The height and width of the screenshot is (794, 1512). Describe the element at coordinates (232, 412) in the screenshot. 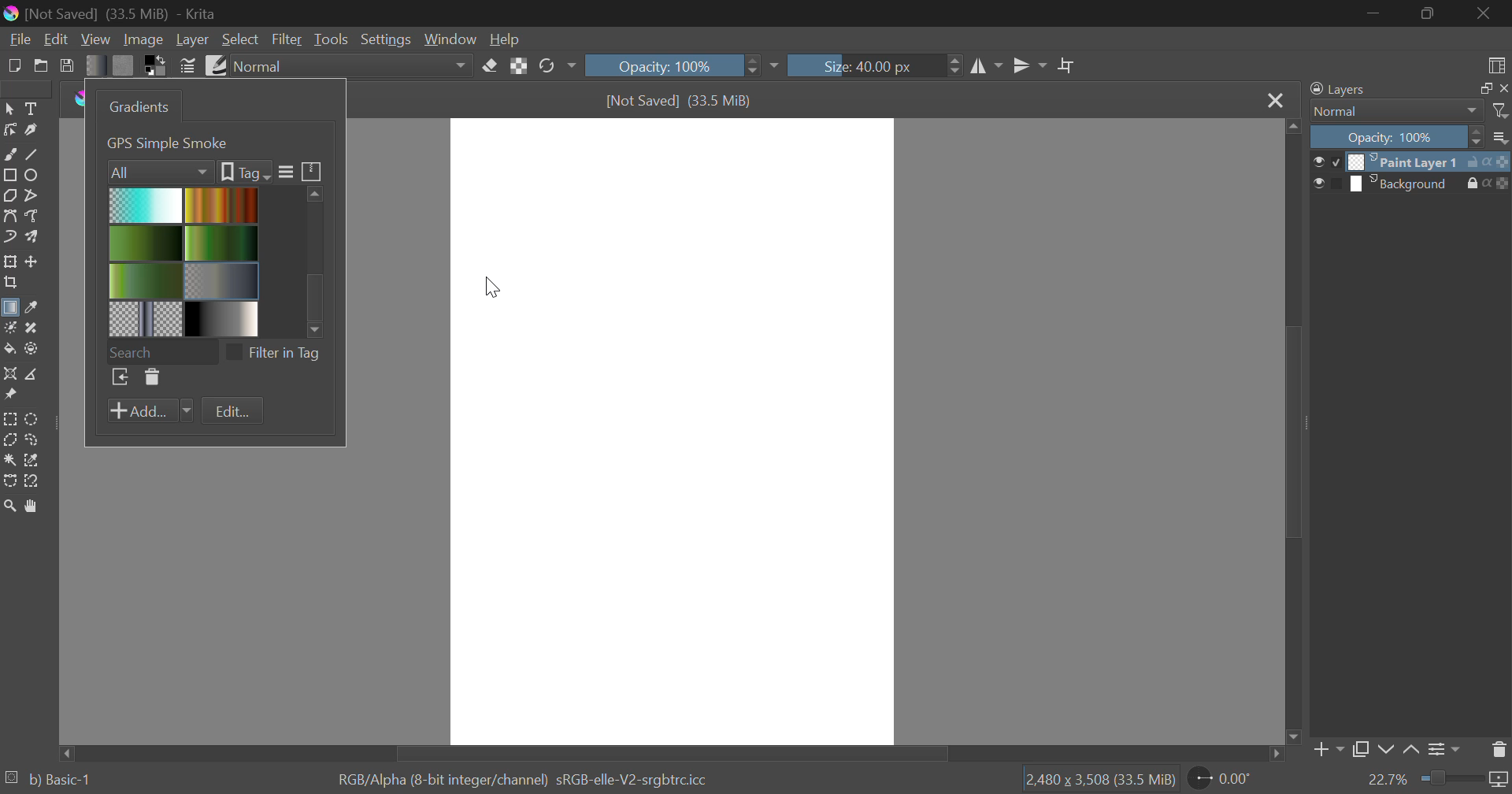

I see `Edit...` at that location.